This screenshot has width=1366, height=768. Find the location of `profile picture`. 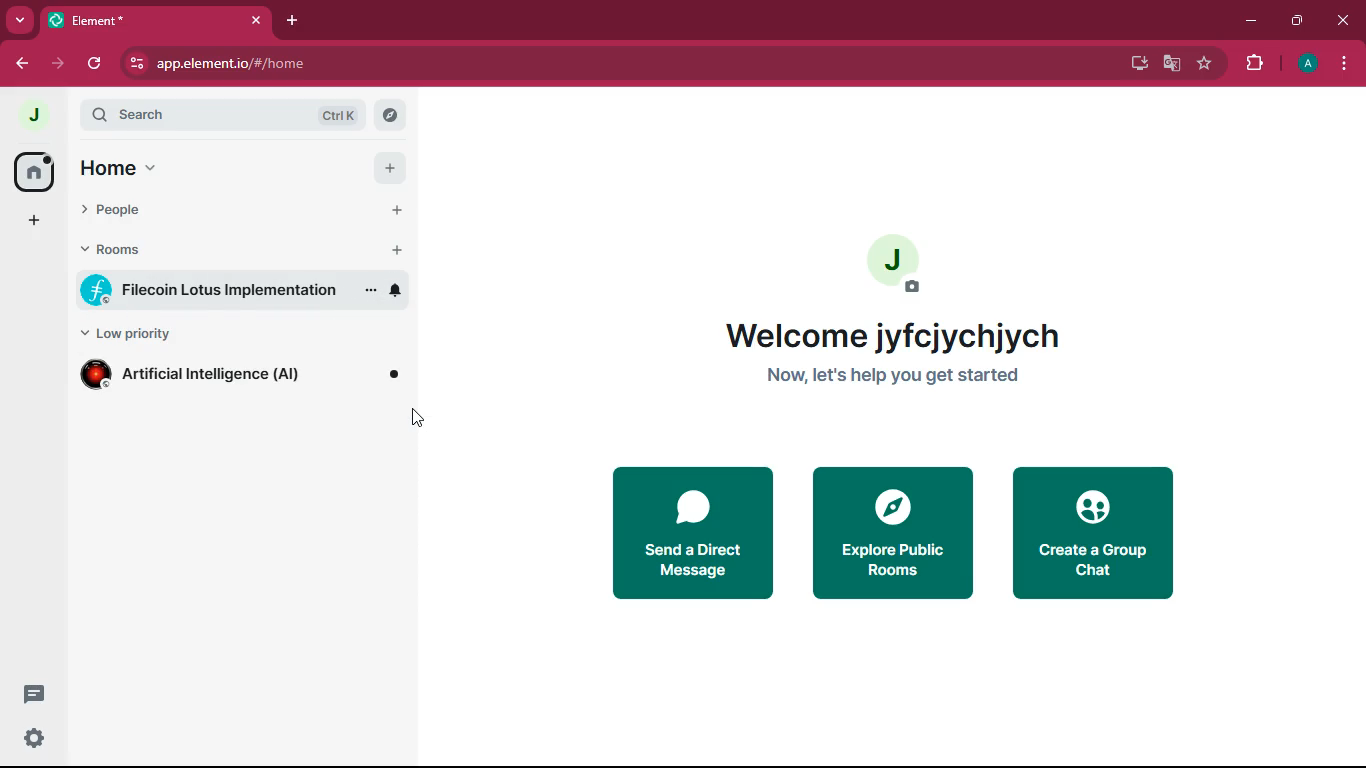

profile picture is located at coordinates (896, 262).